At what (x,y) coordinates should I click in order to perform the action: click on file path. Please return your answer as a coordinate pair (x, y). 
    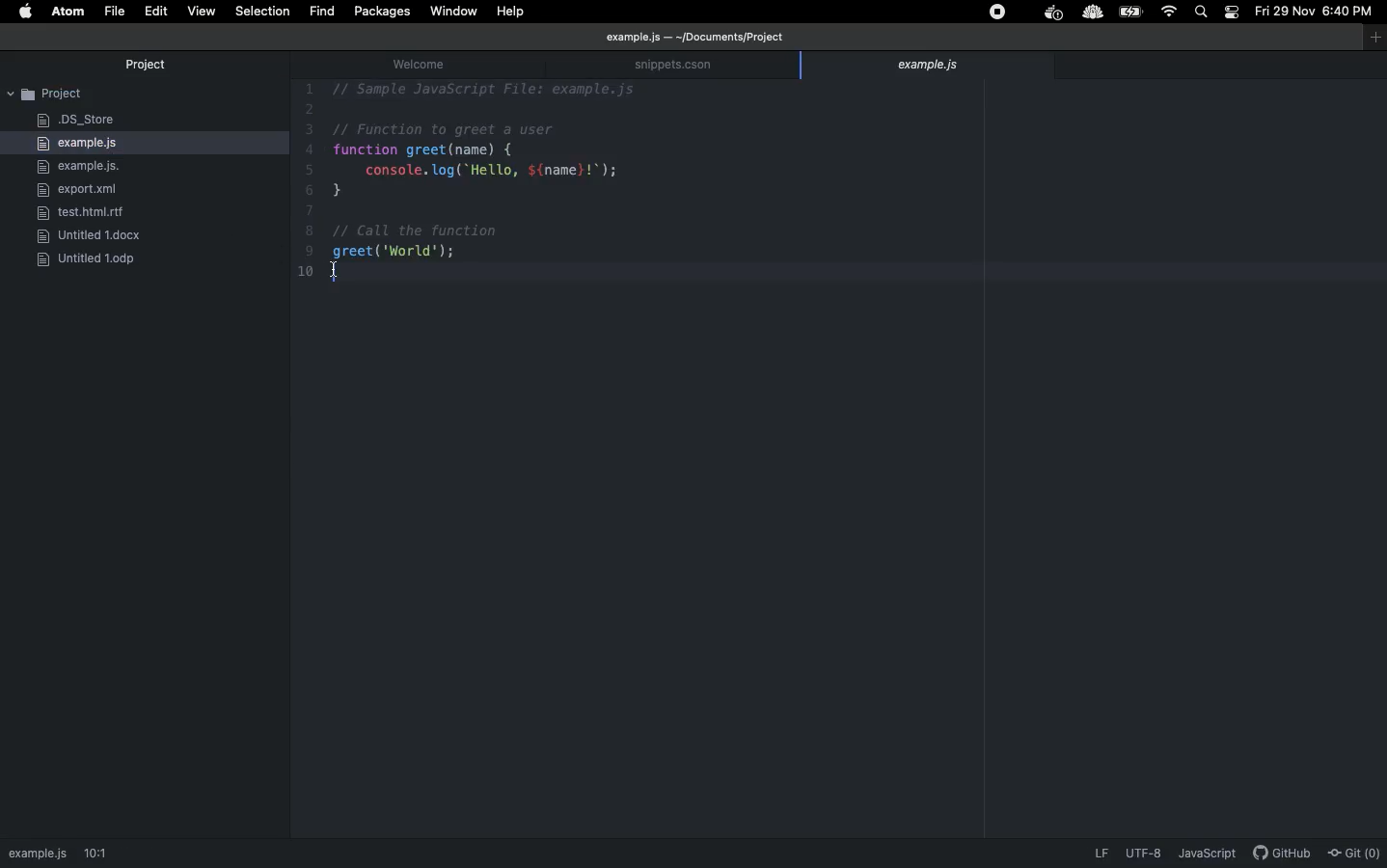
    Looking at the image, I should click on (698, 38).